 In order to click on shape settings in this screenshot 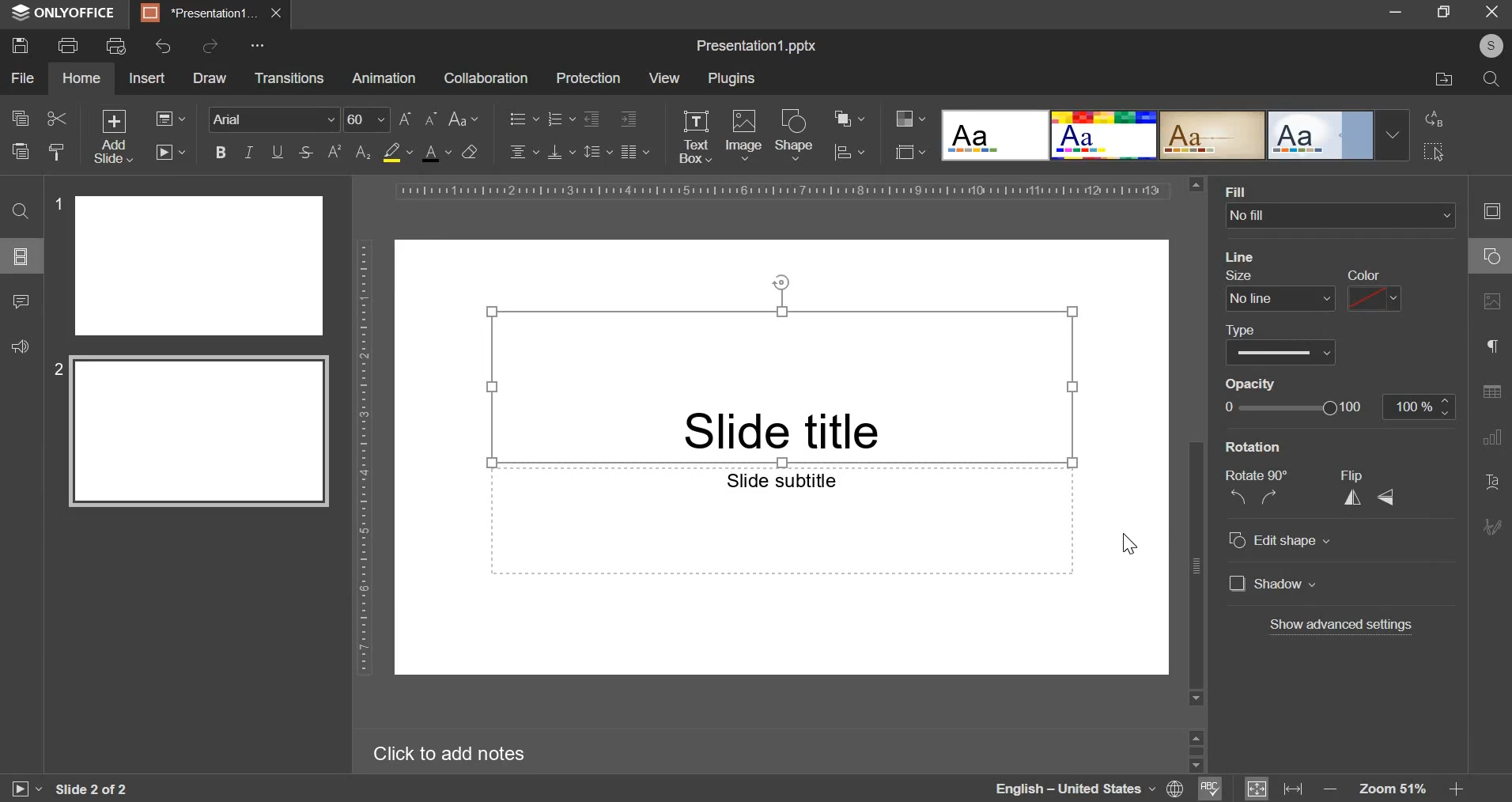, I will do `click(1488, 257)`.